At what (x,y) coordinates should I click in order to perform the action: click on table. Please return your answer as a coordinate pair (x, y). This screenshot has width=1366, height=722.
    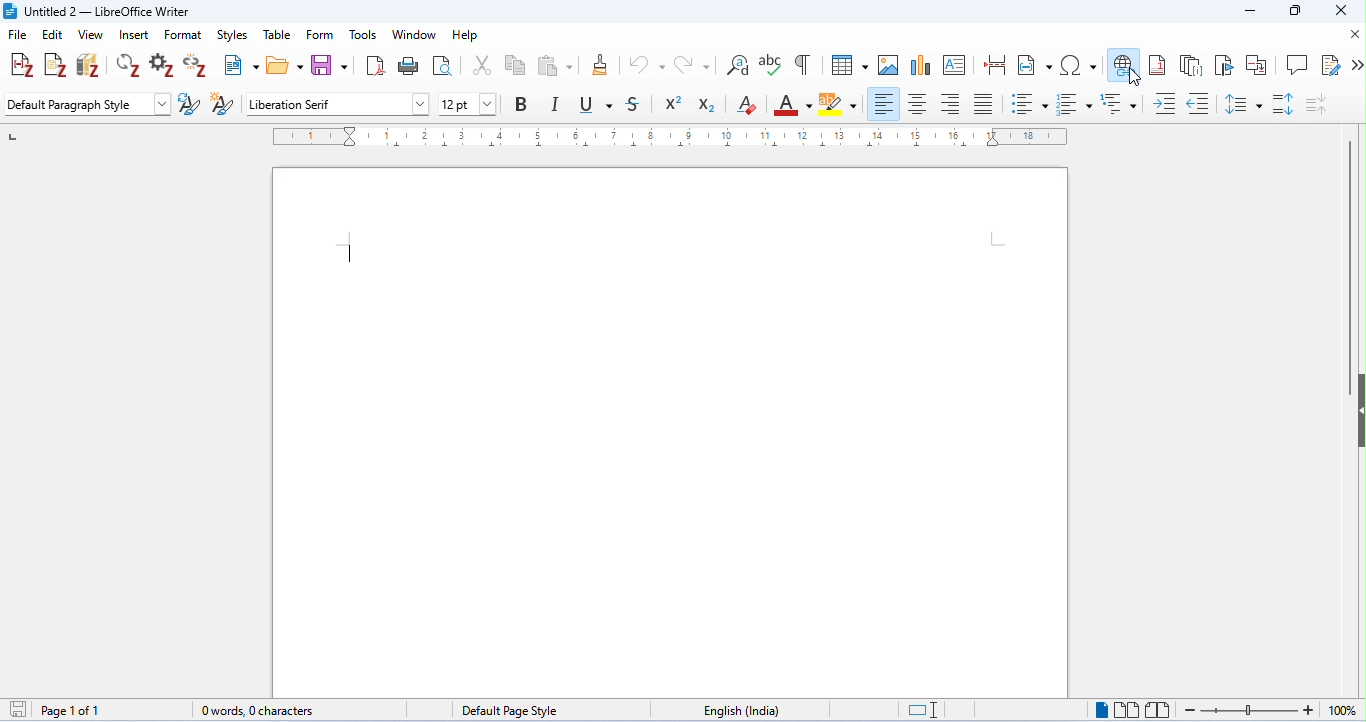
    Looking at the image, I should click on (275, 33).